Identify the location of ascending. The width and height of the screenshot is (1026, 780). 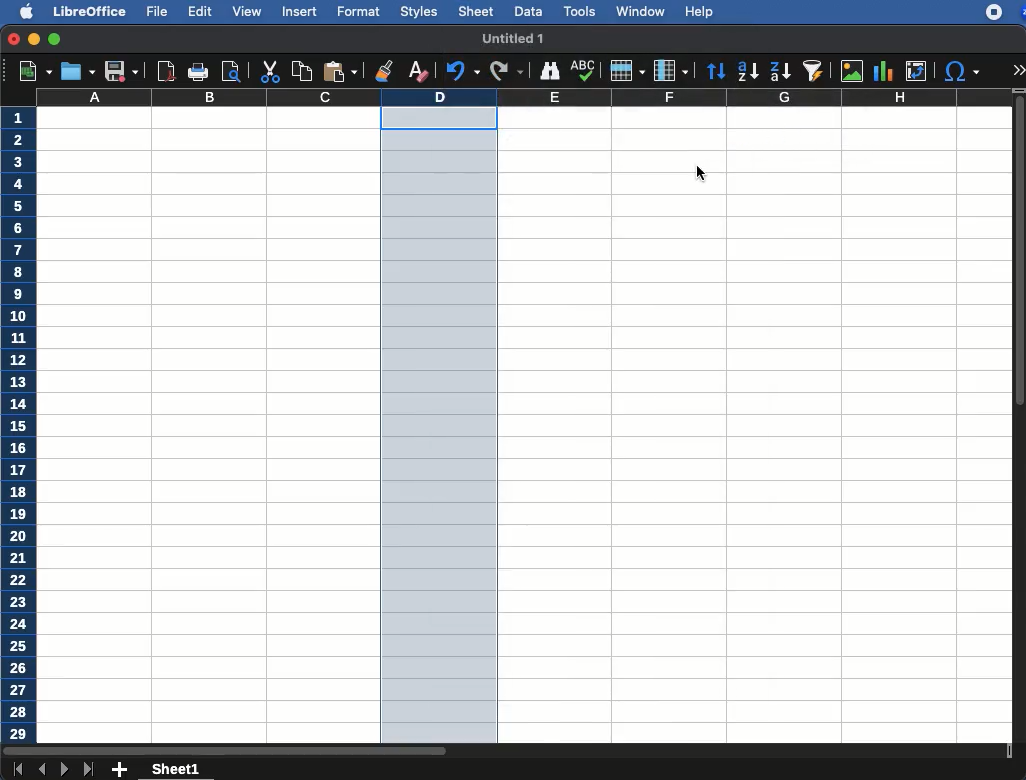
(744, 72).